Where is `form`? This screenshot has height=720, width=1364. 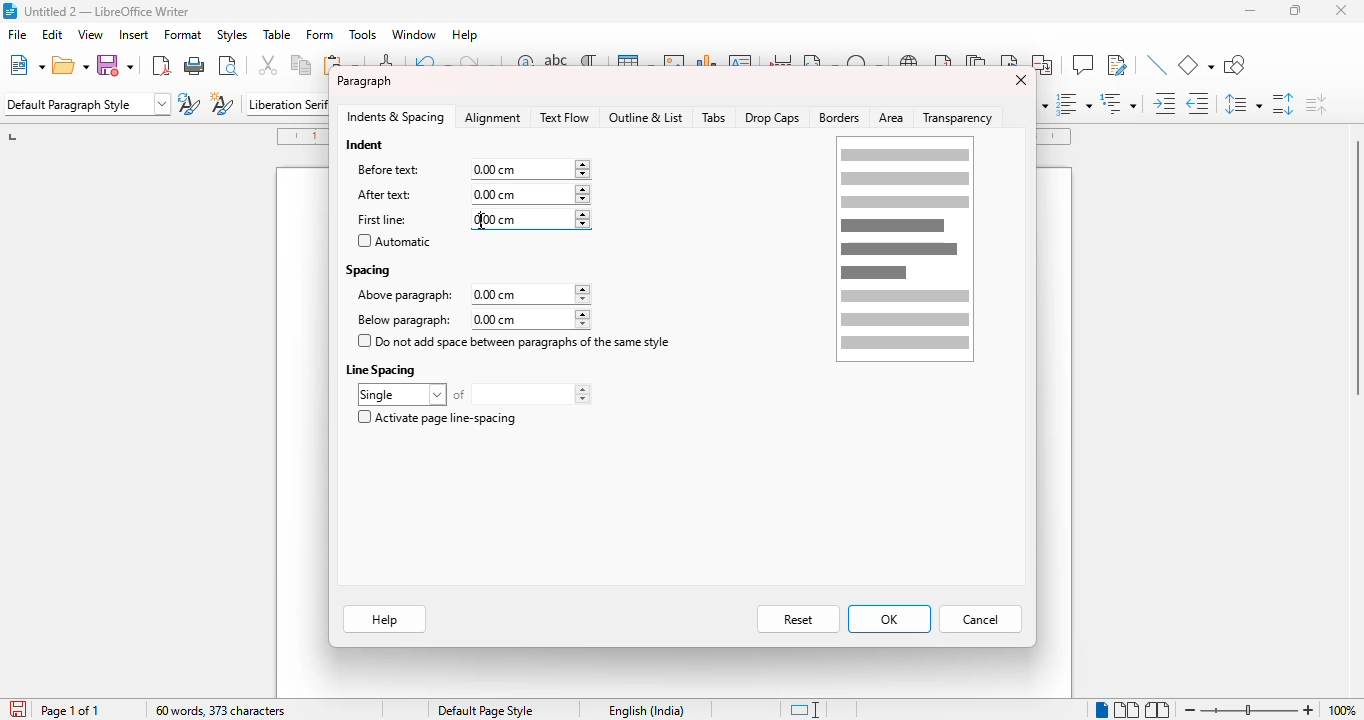 form is located at coordinates (320, 35).